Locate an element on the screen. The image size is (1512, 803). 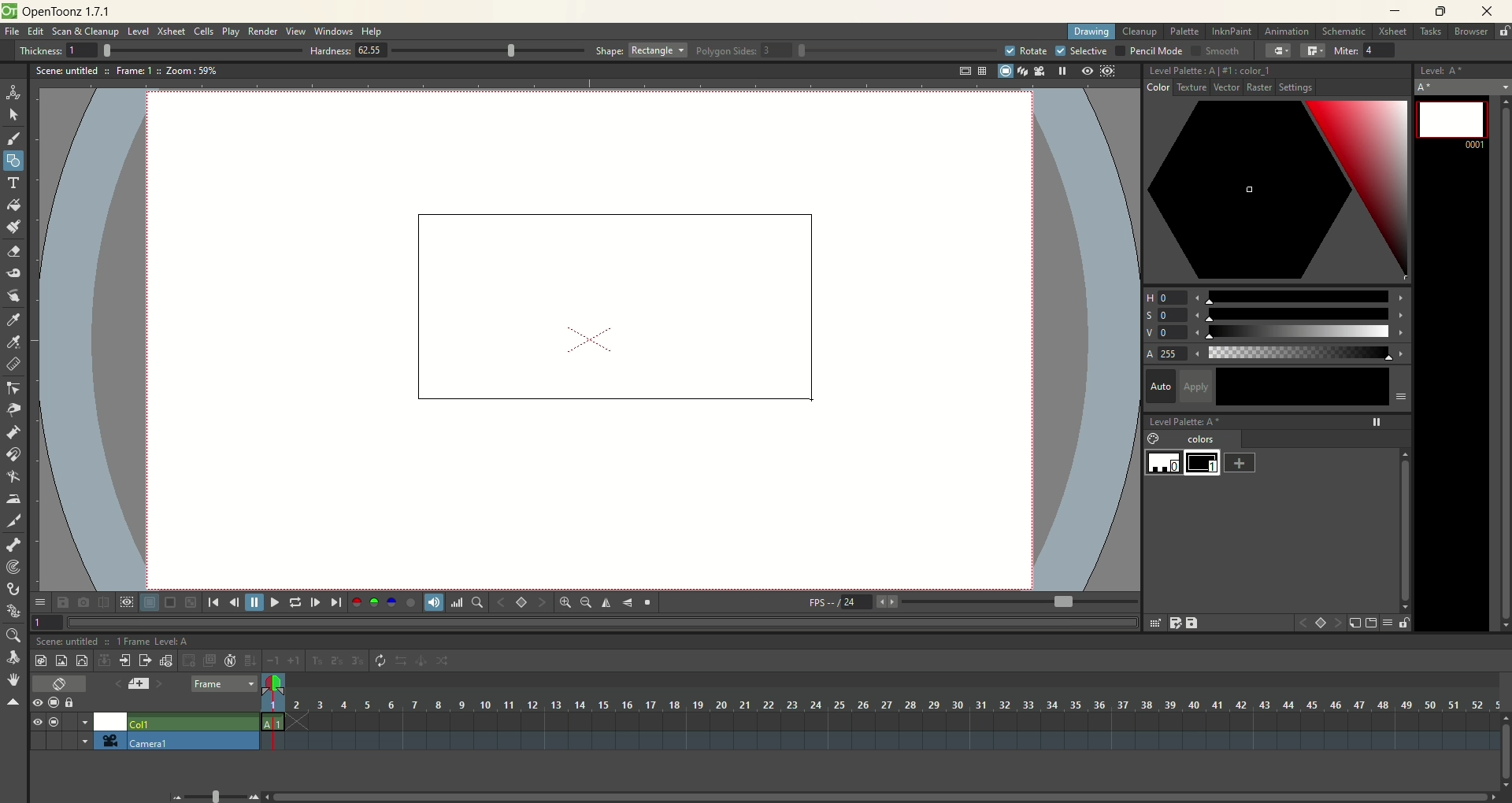
reframe on 1's is located at coordinates (317, 661).